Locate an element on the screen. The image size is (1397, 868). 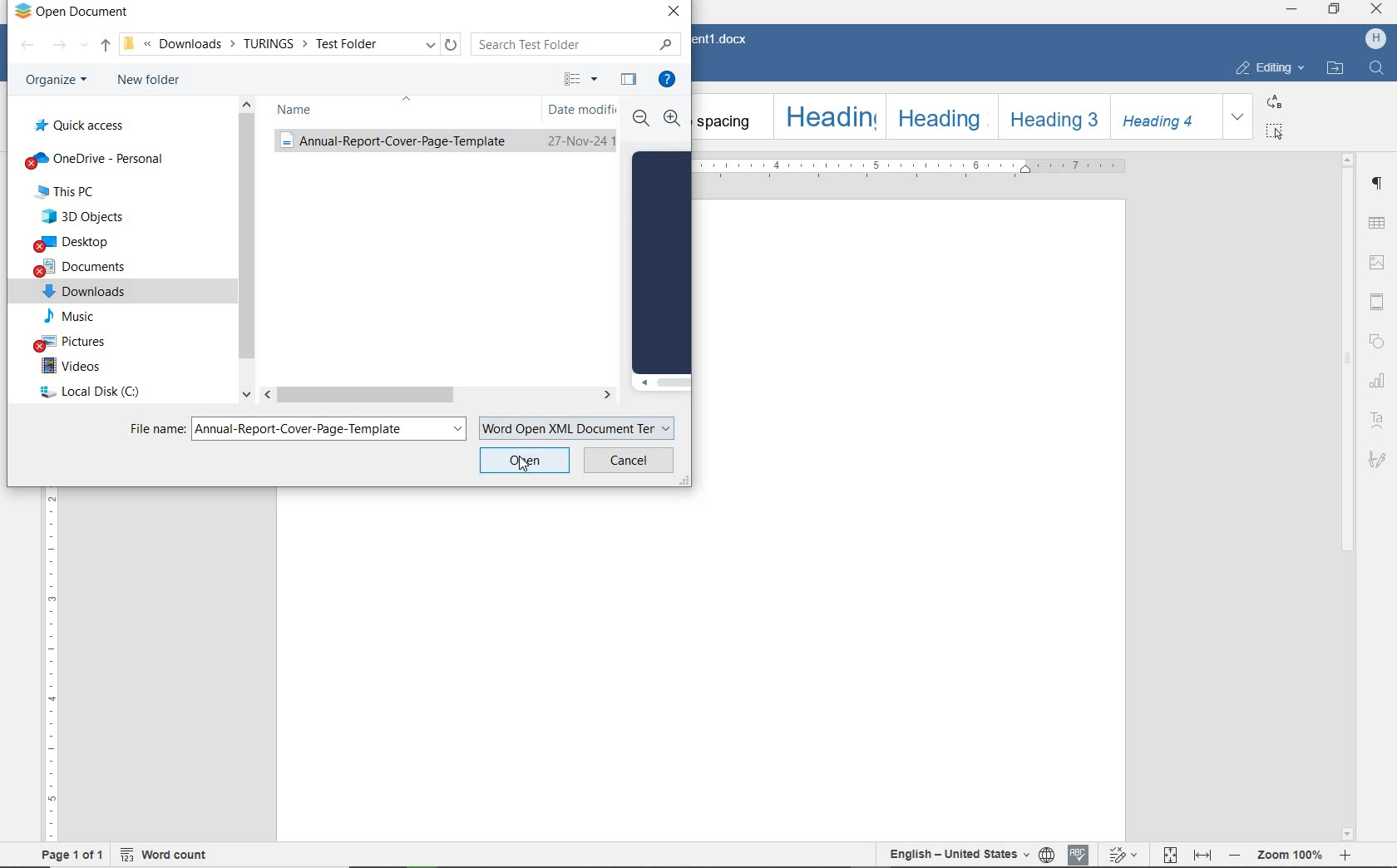
open file location is located at coordinates (1336, 70).